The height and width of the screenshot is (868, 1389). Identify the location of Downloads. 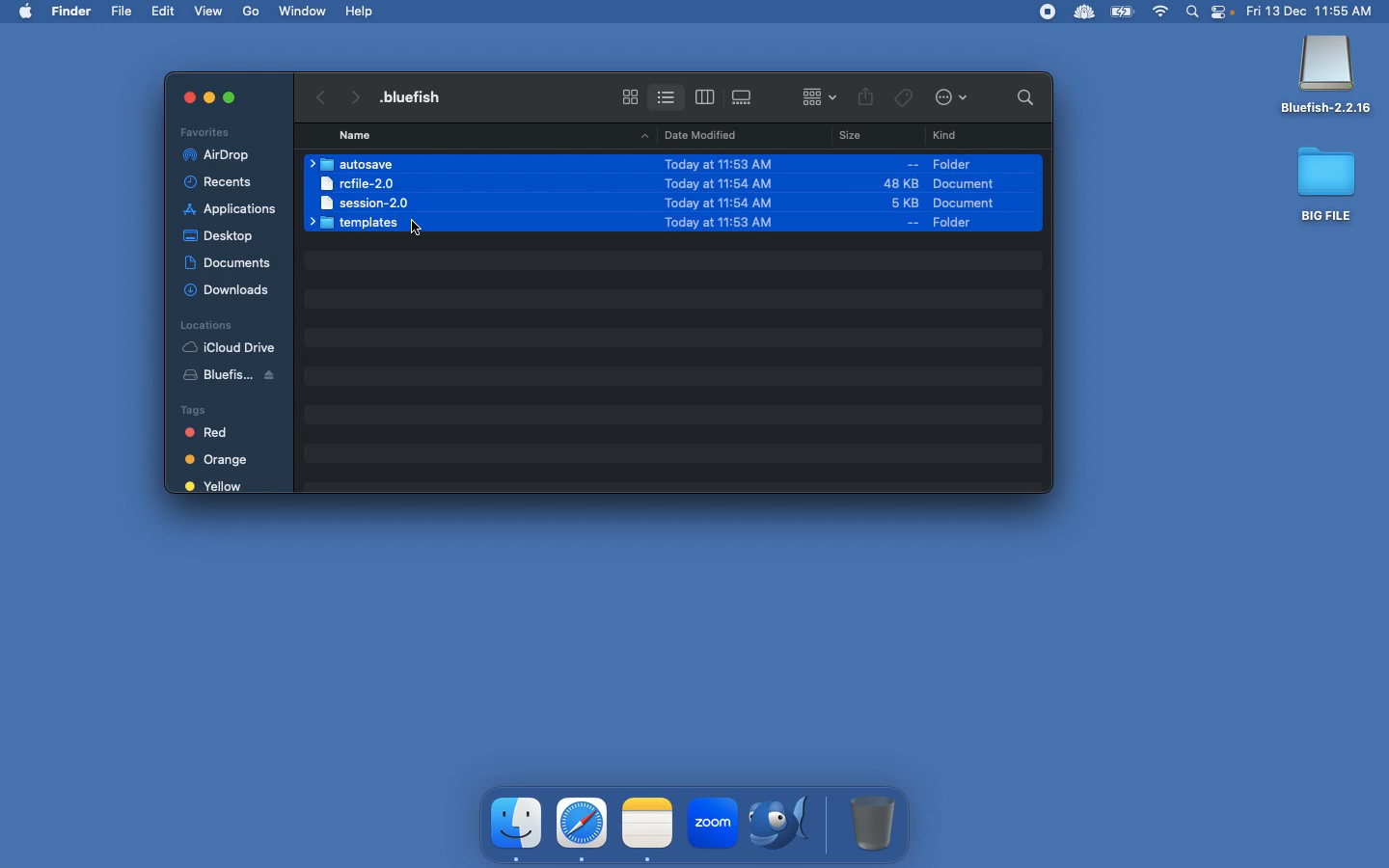
(230, 289).